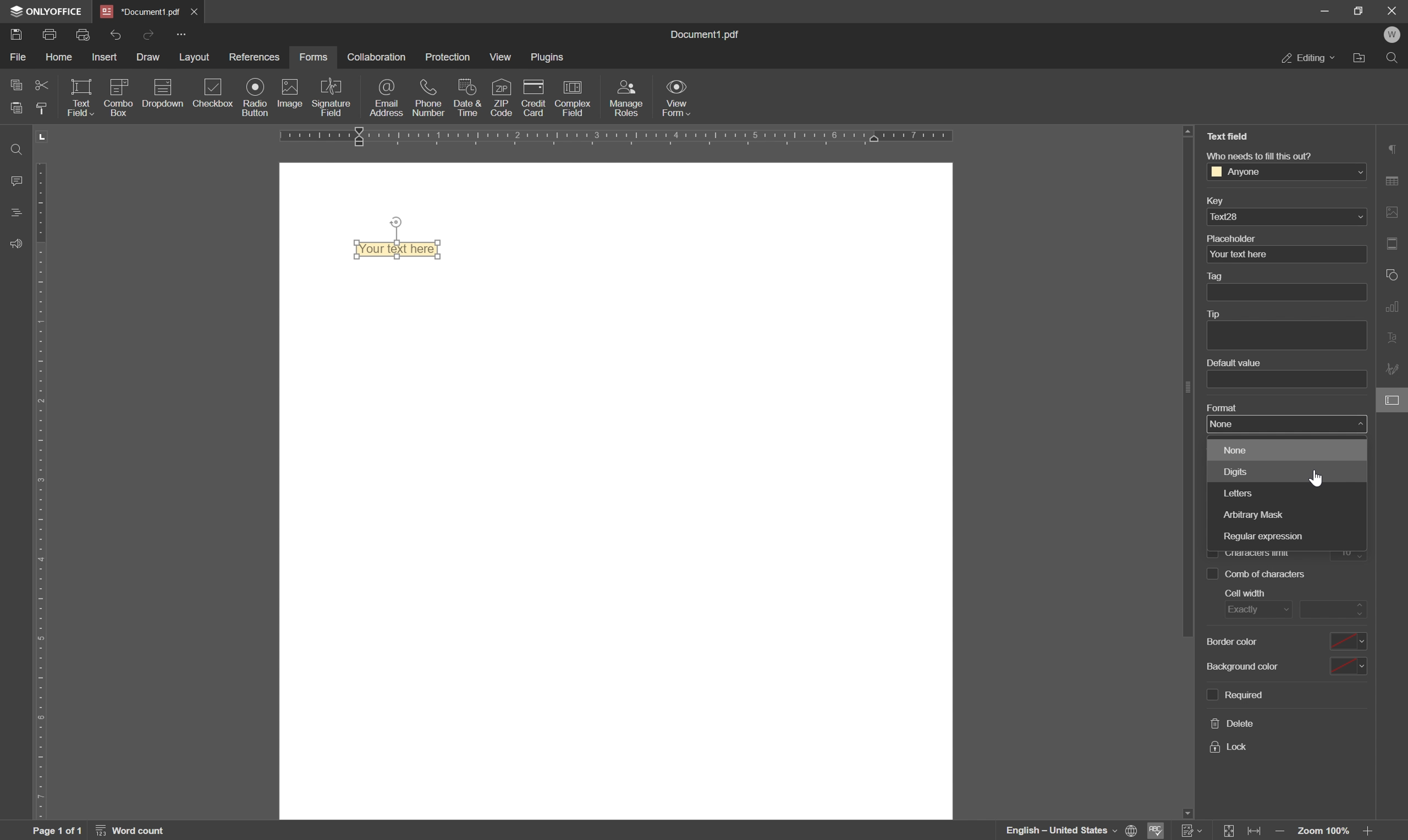 Image resolution: width=1408 pixels, height=840 pixels. What do you see at coordinates (83, 35) in the screenshot?
I see `quick print` at bounding box center [83, 35].